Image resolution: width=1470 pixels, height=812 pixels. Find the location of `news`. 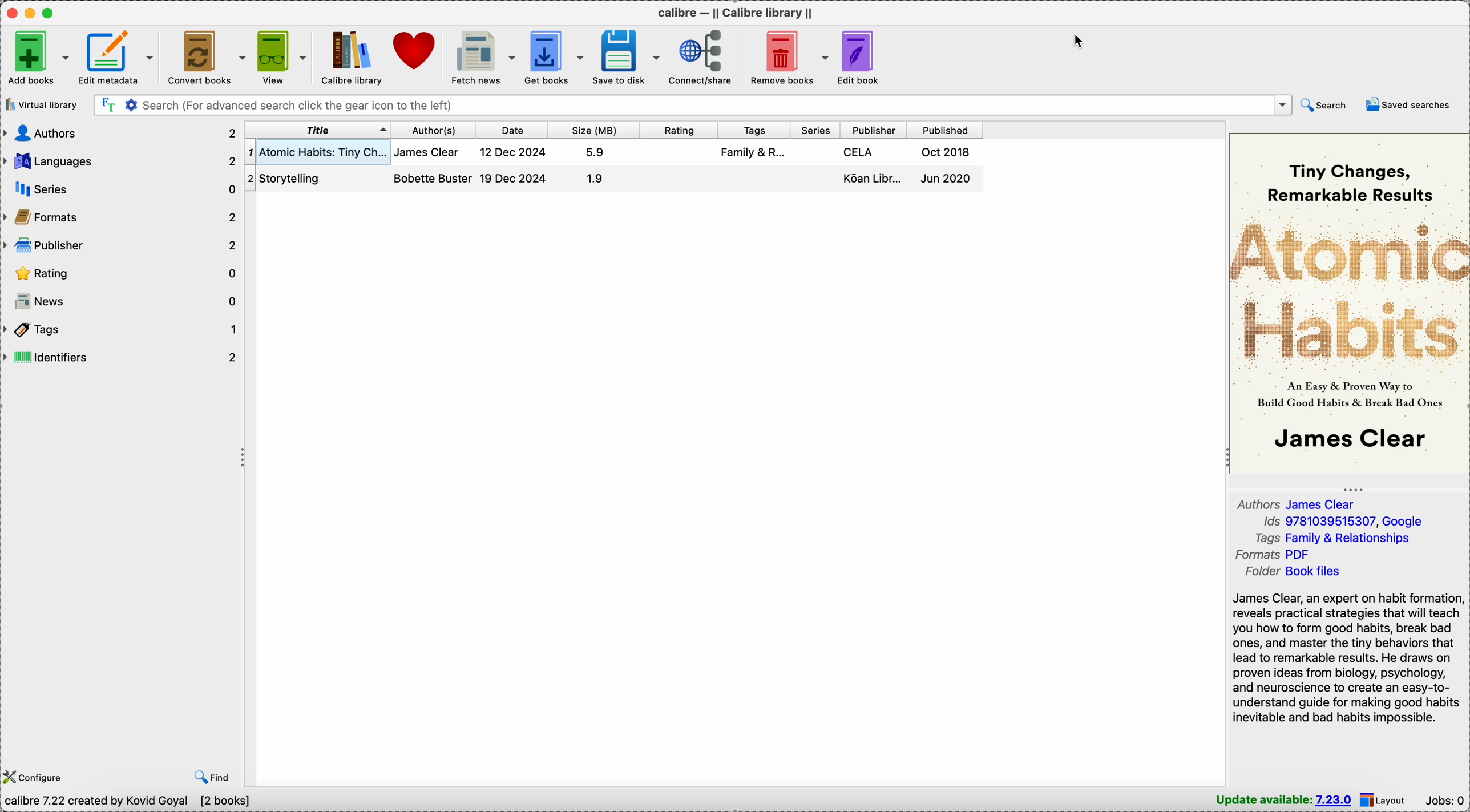

news is located at coordinates (123, 300).